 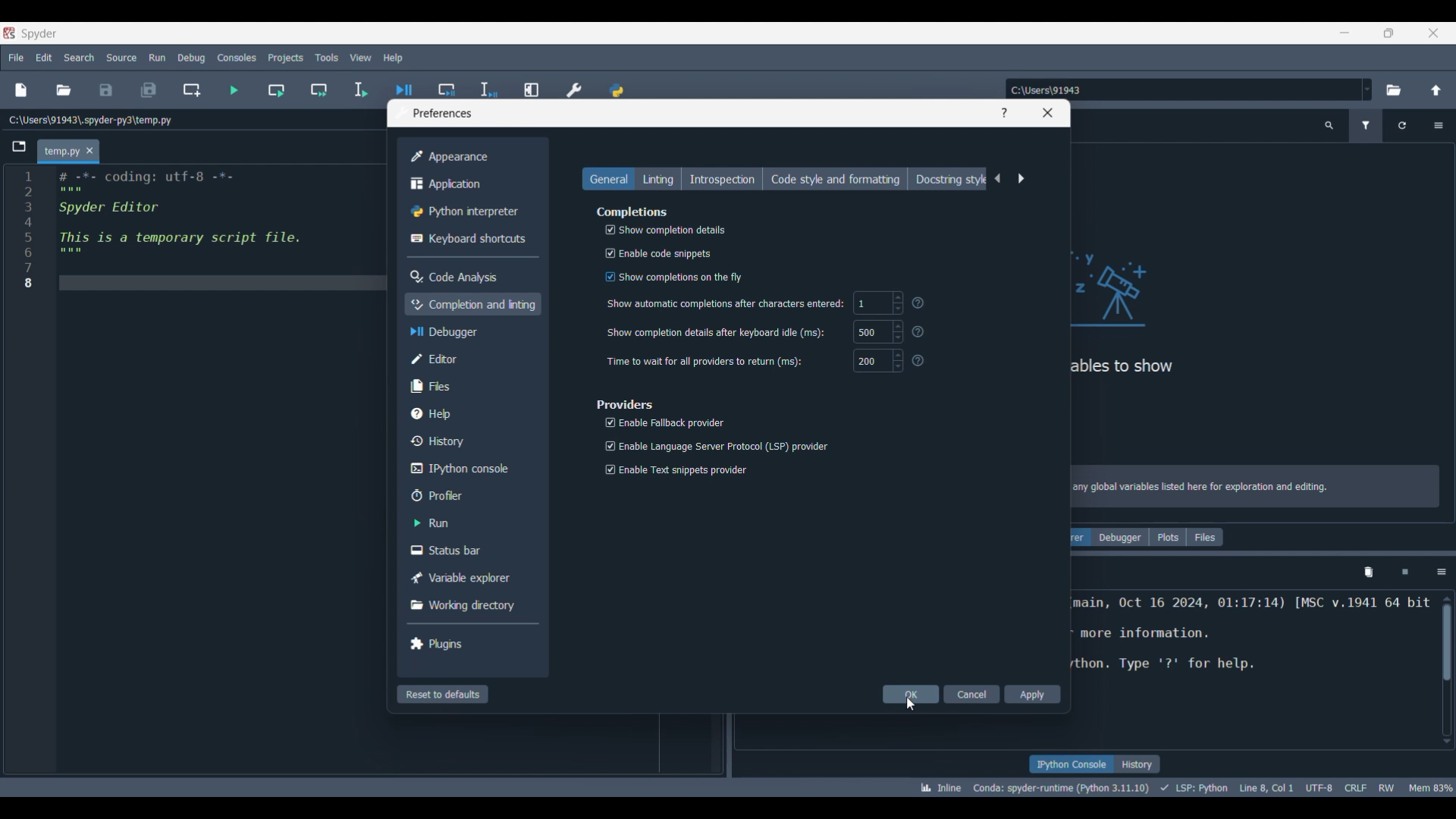 What do you see at coordinates (470, 413) in the screenshot?
I see `Help` at bounding box center [470, 413].